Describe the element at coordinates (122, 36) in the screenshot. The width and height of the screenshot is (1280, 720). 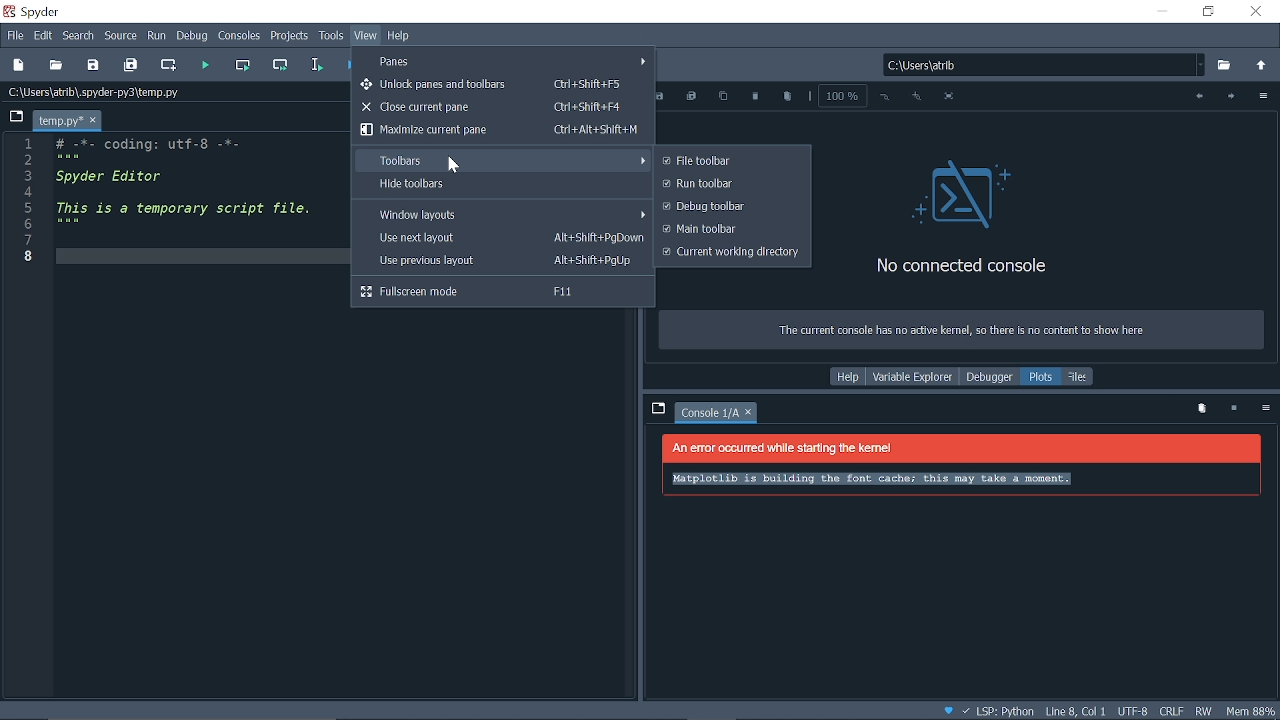
I see `Source` at that location.